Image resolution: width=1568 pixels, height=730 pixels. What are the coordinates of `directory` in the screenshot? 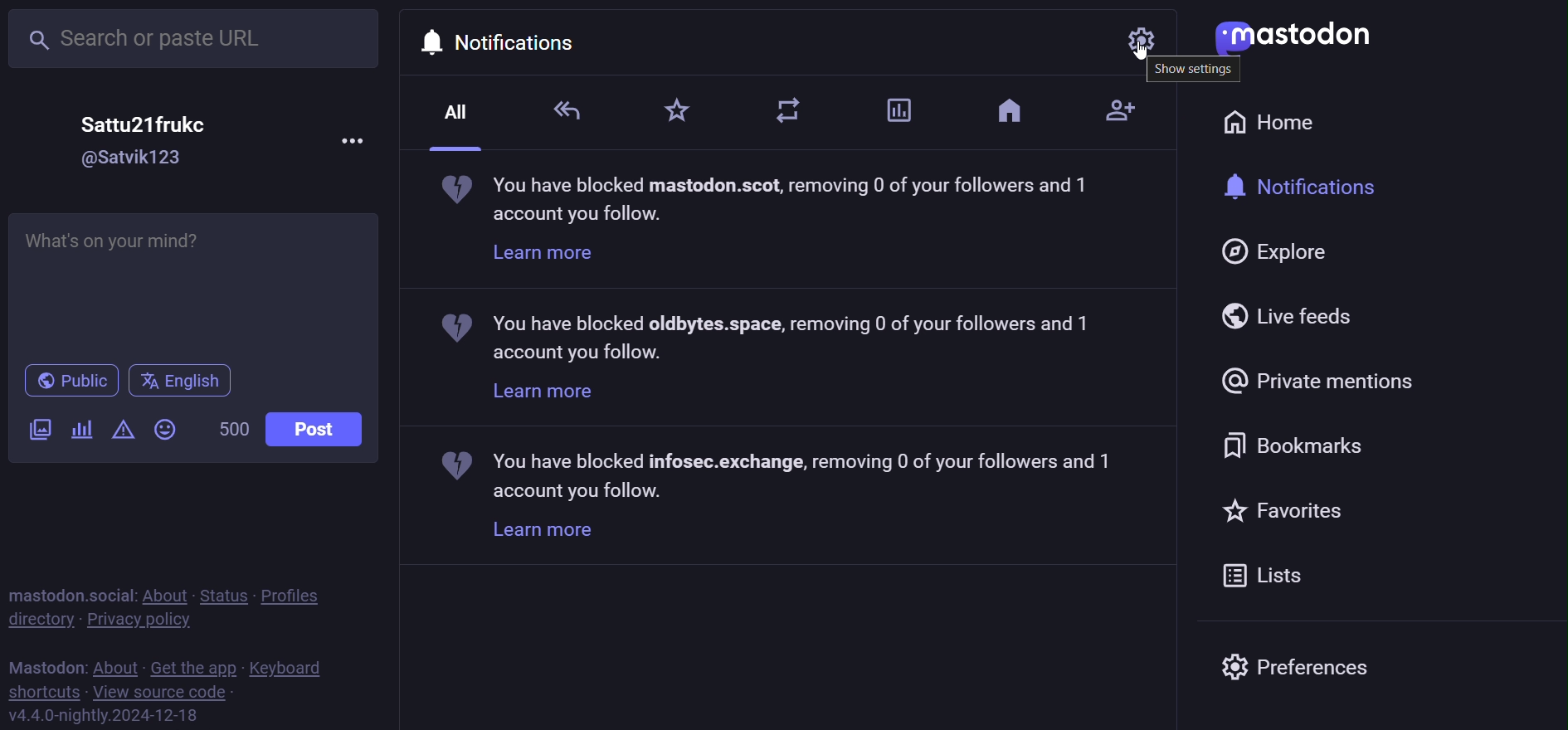 It's located at (40, 620).